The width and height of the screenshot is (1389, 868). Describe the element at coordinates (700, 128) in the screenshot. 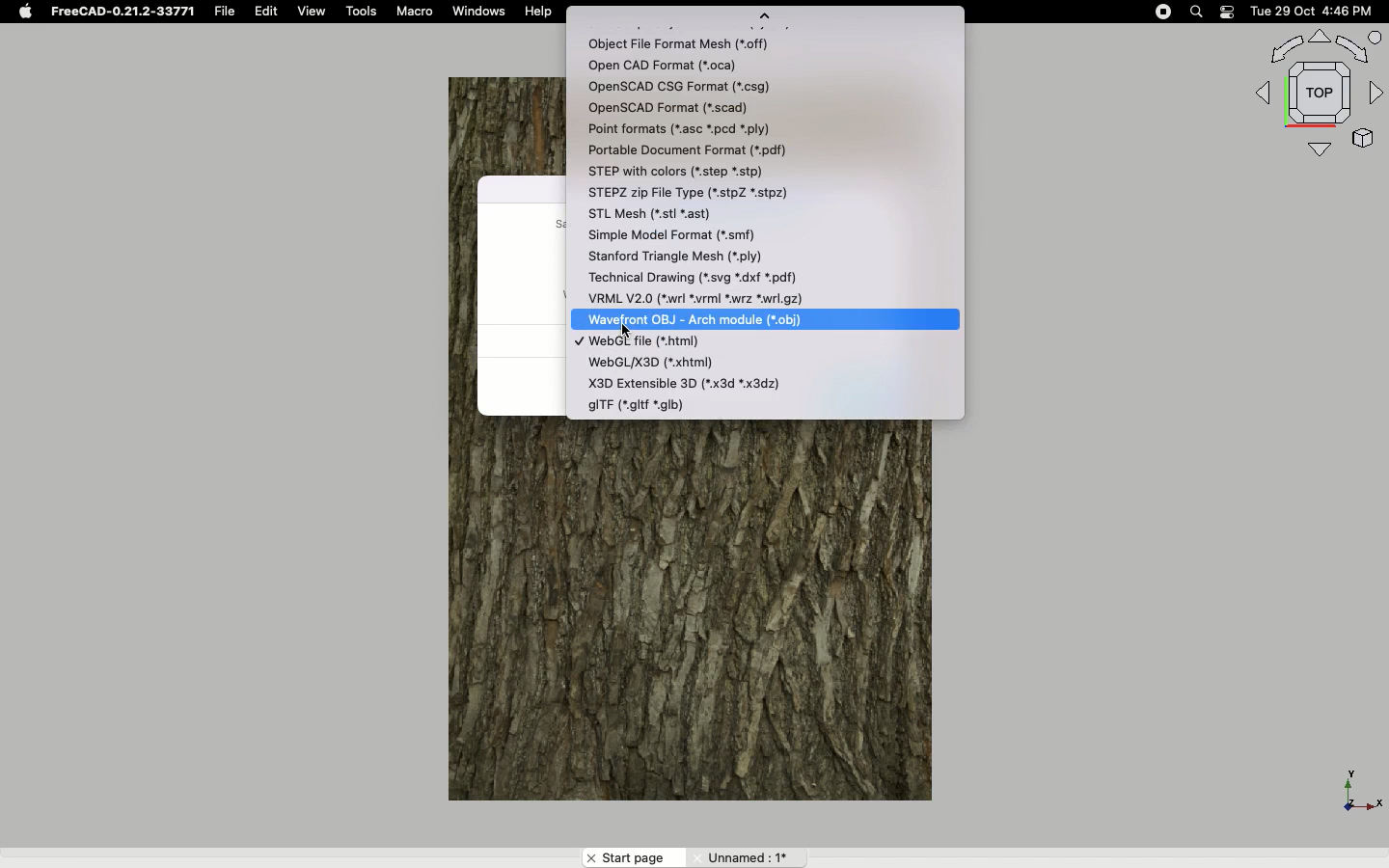

I see `Point formats (*.asc*.pcd*.ply)` at that location.